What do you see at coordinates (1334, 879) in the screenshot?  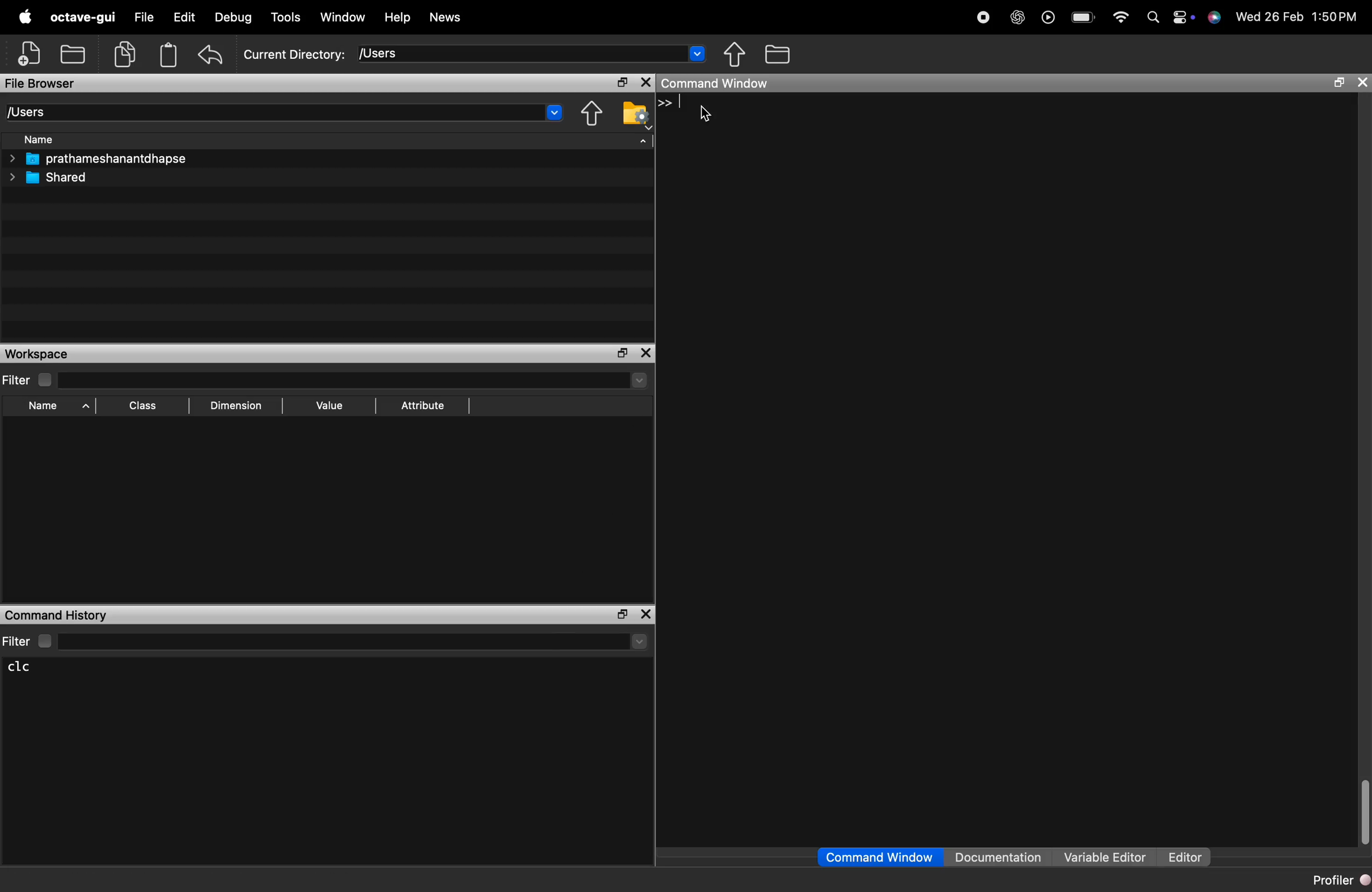 I see `Profiler ` at bounding box center [1334, 879].